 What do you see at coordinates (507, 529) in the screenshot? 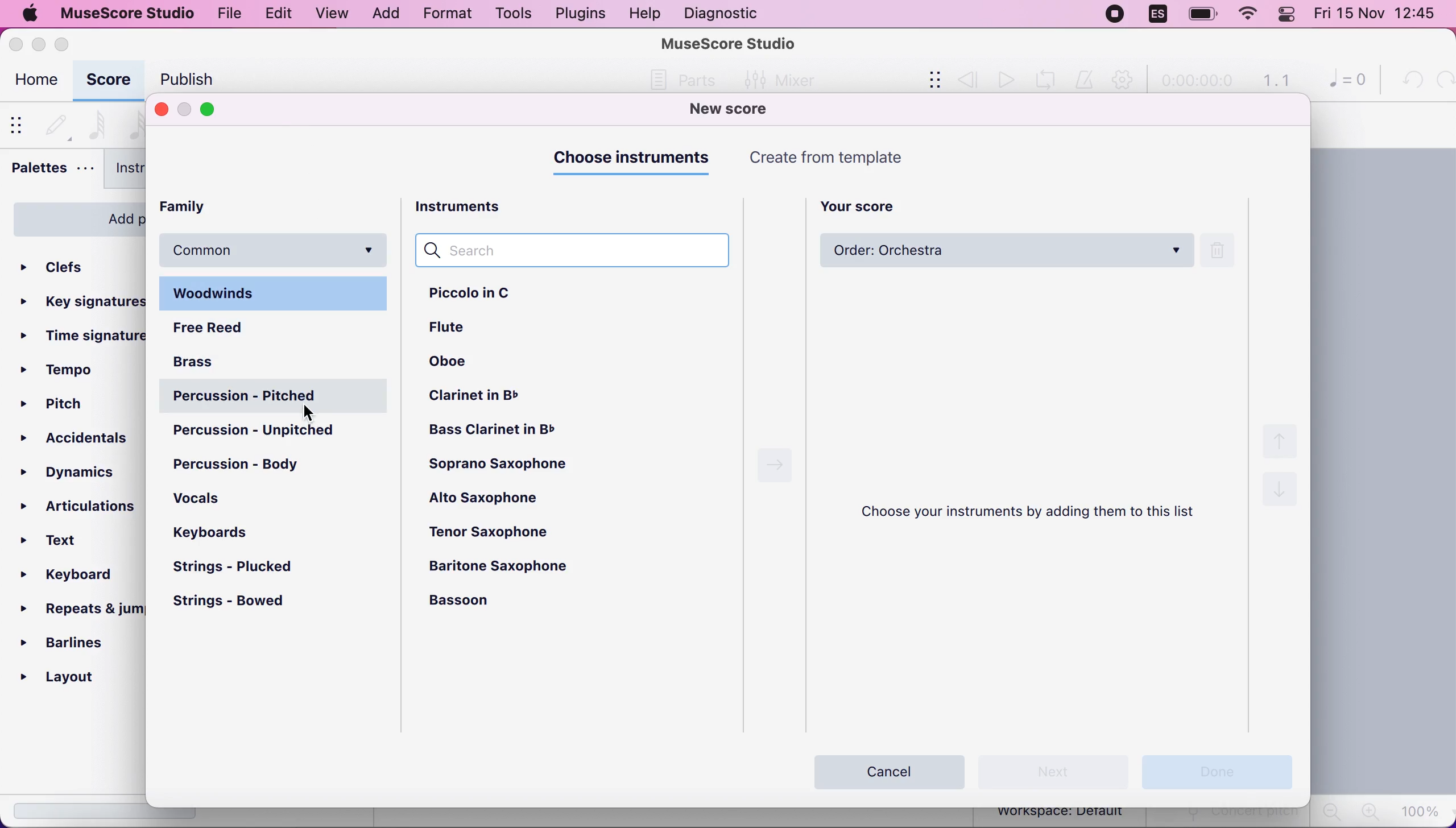
I see `tenor saxophone` at bounding box center [507, 529].